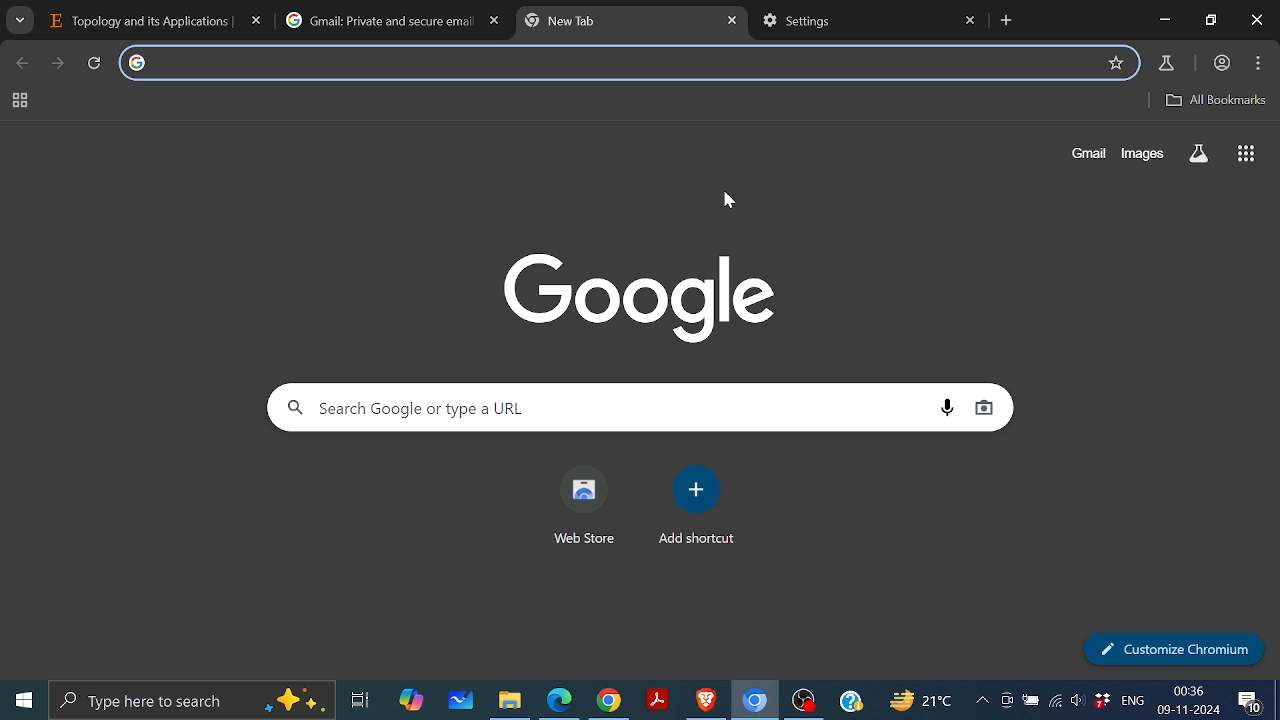 The image size is (1280, 720). What do you see at coordinates (21, 100) in the screenshot?
I see `Tab groups` at bounding box center [21, 100].